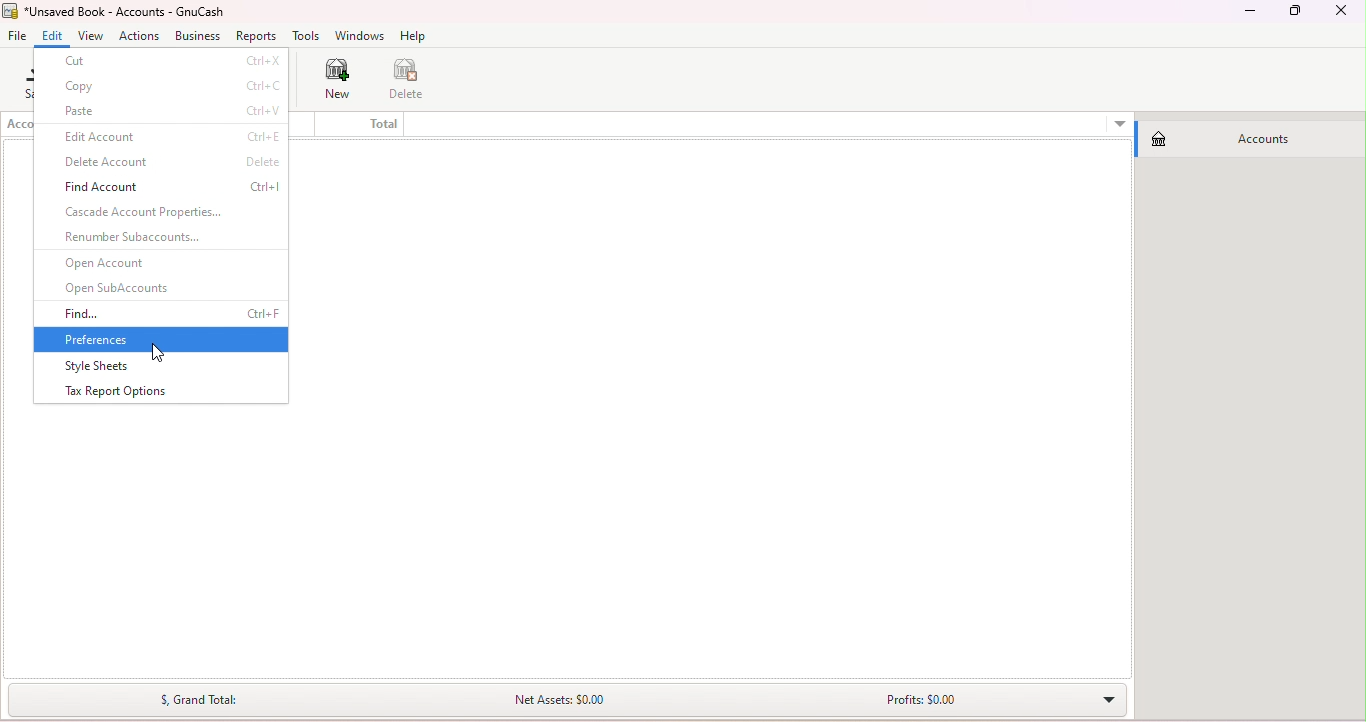 This screenshot has height=722, width=1366. I want to click on Find account, so click(157, 187).